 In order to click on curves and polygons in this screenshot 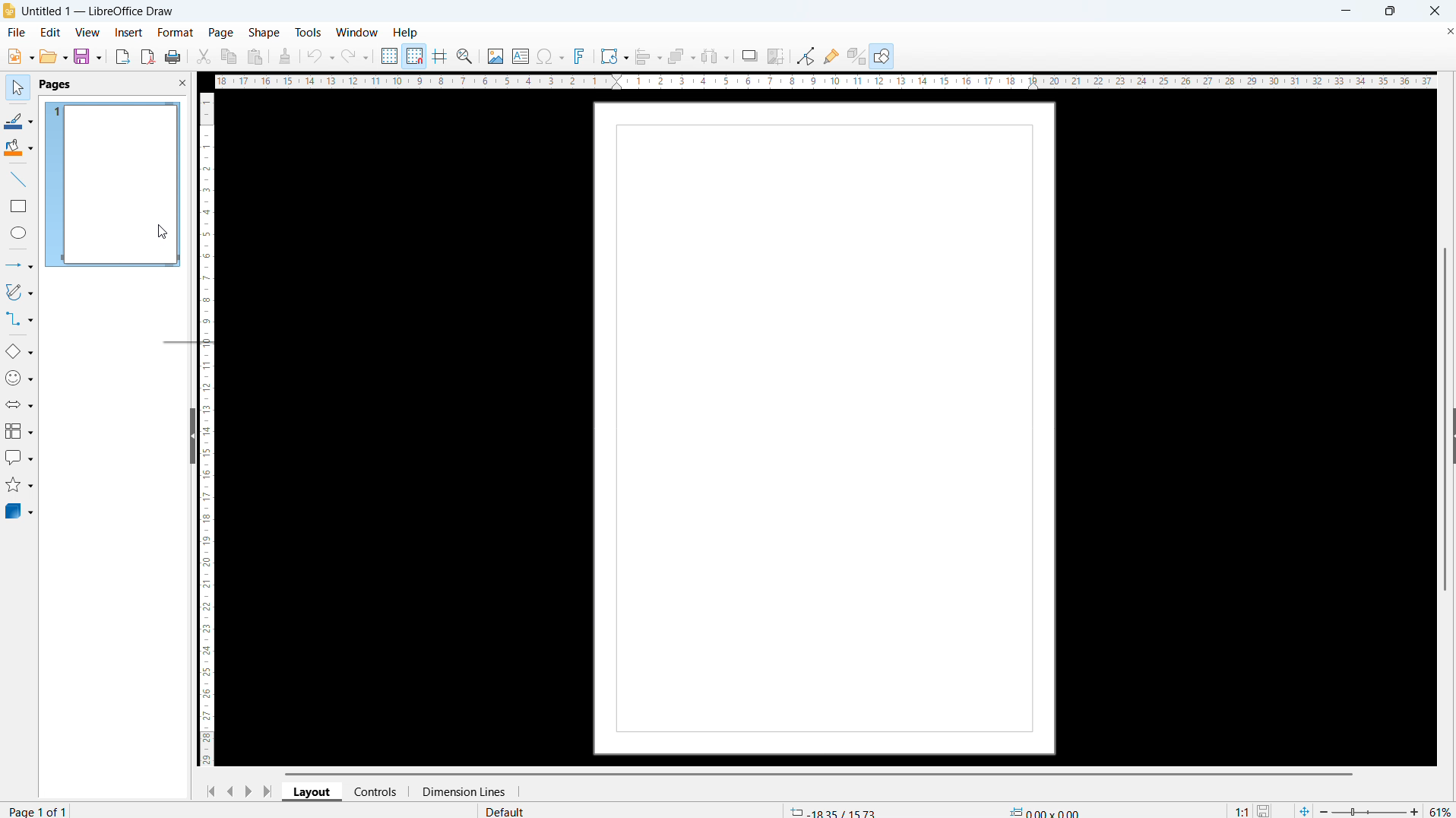, I will do `click(19, 293)`.